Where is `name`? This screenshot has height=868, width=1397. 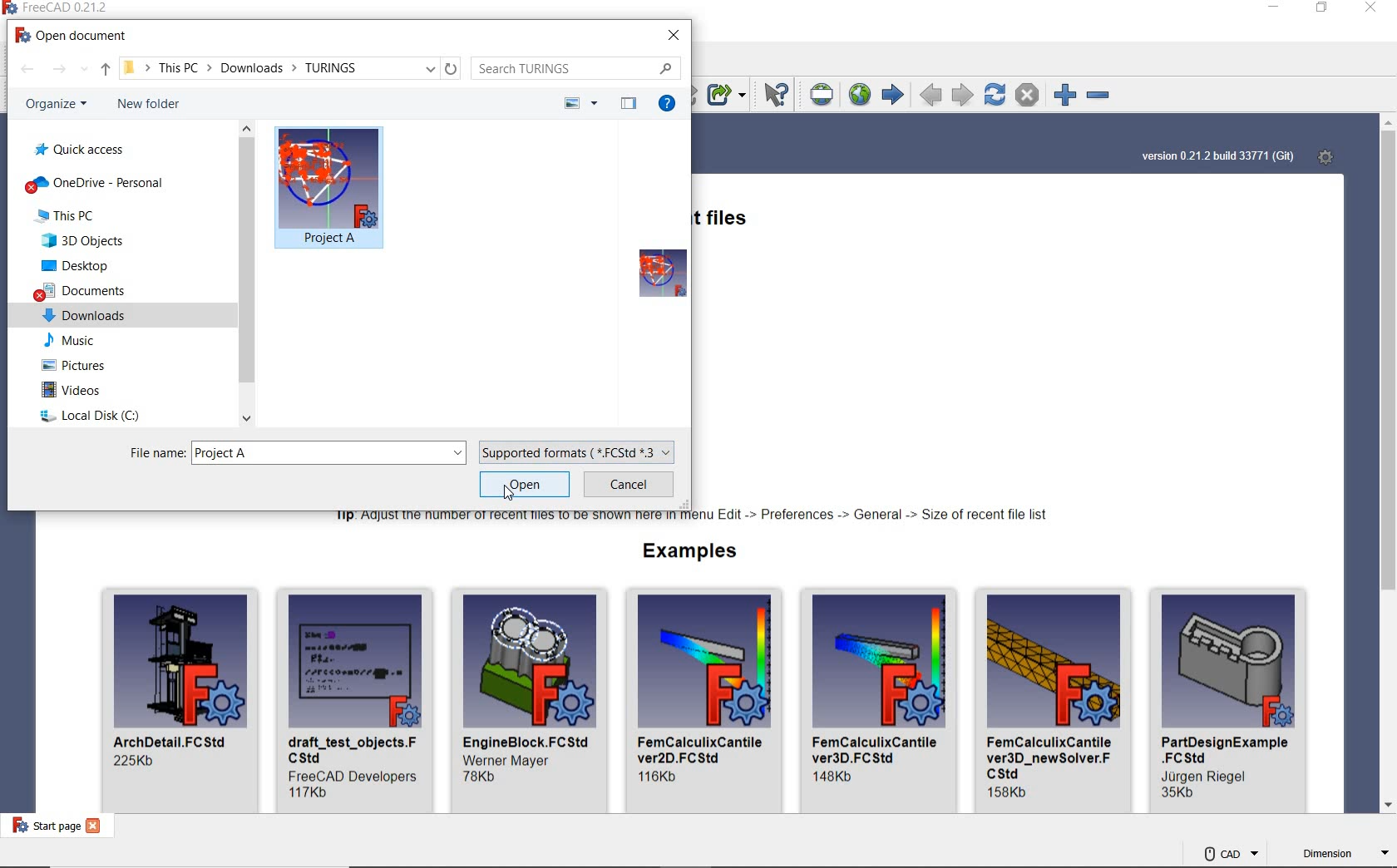 name is located at coordinates (1227, 750).